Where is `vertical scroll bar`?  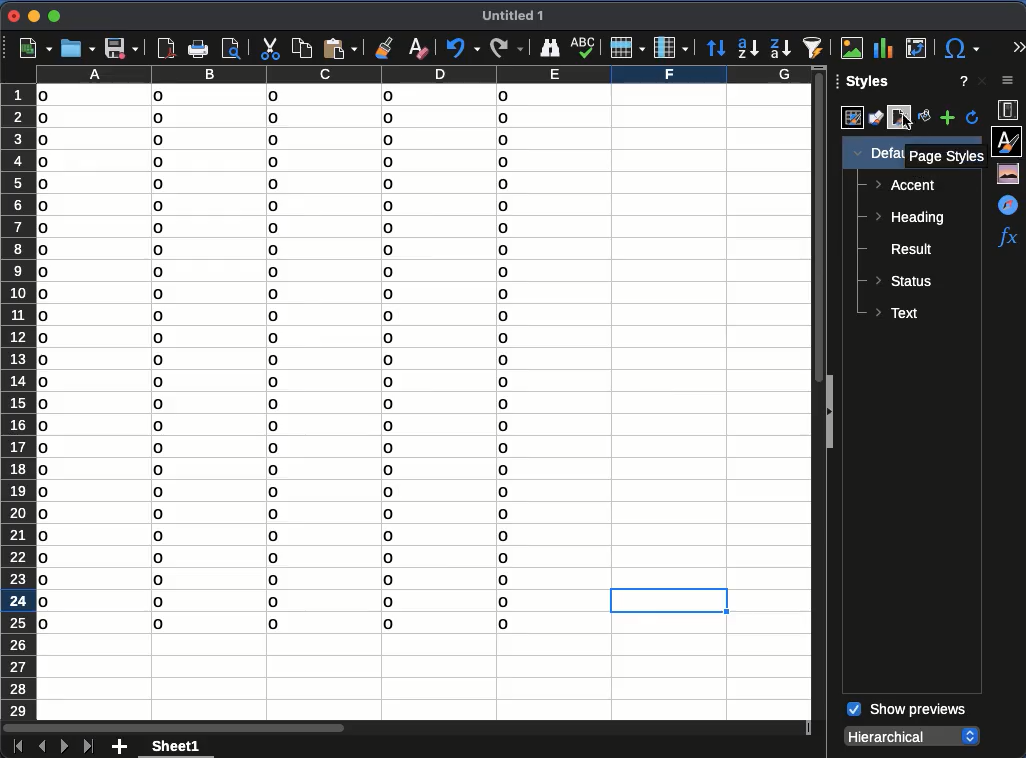
vertical scroll bar is located at coordinates (813, 227).